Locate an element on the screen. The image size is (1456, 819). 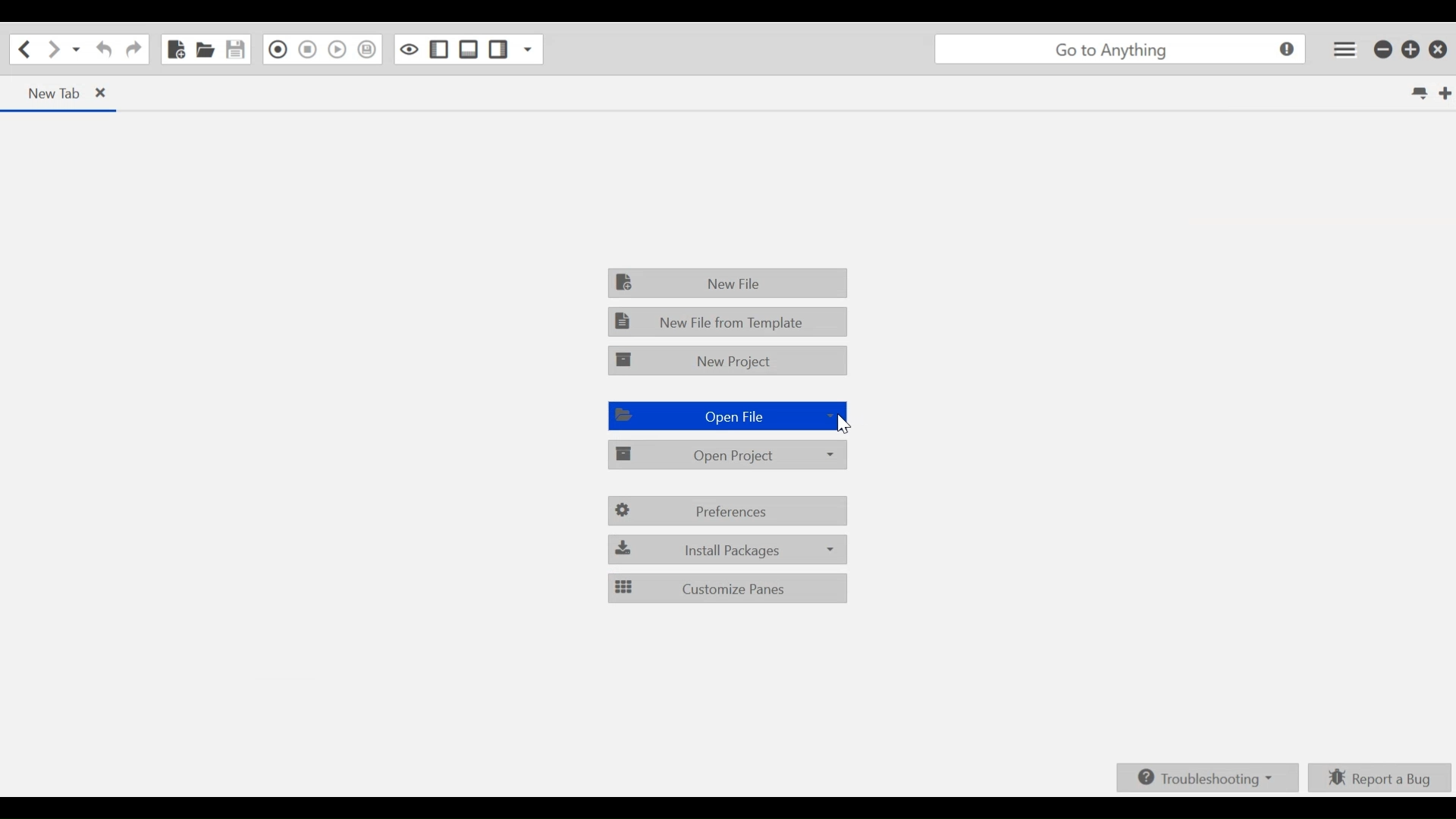
close is located at coordinates (1439, 48).